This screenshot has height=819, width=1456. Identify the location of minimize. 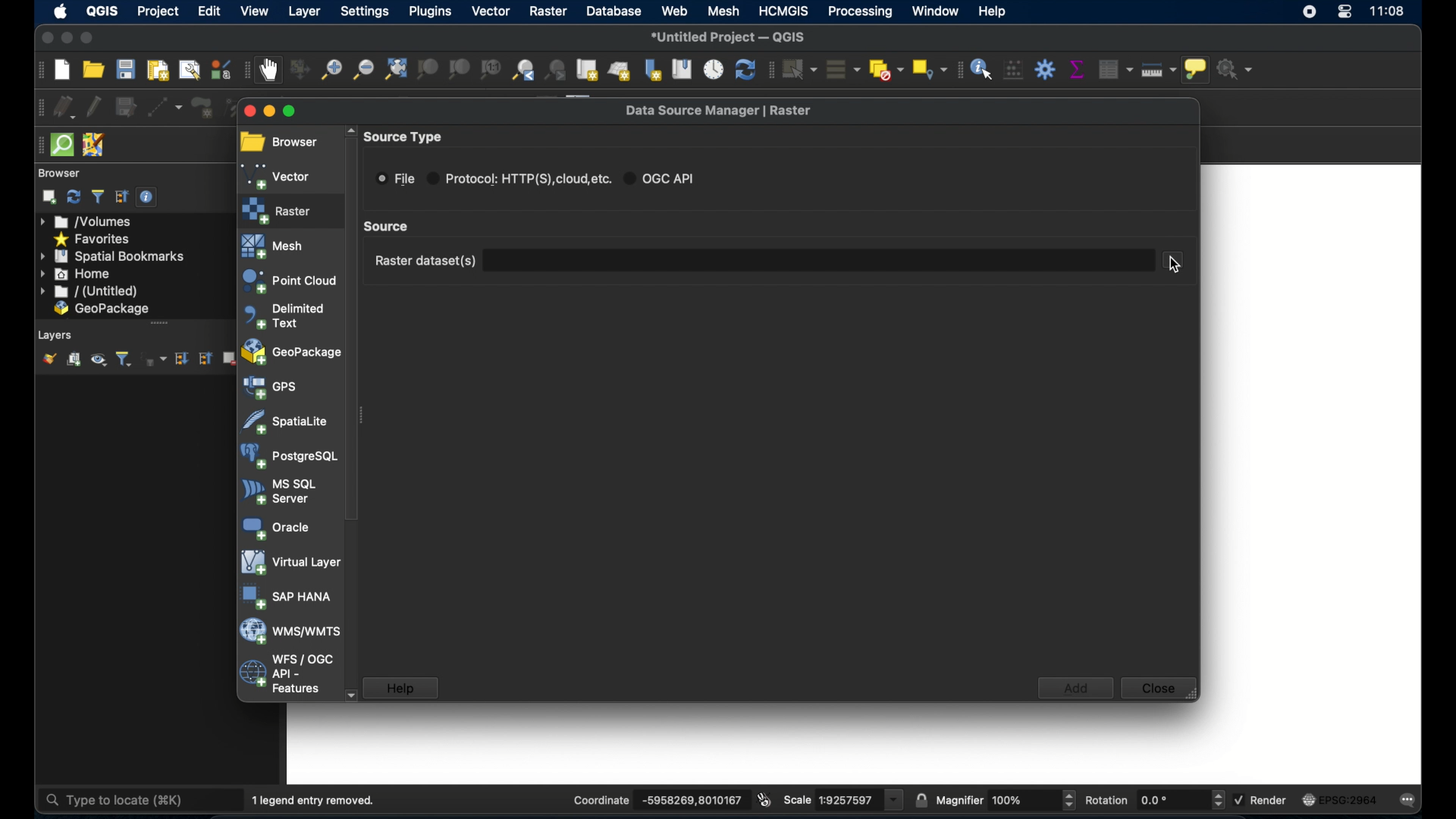
(267, 109).